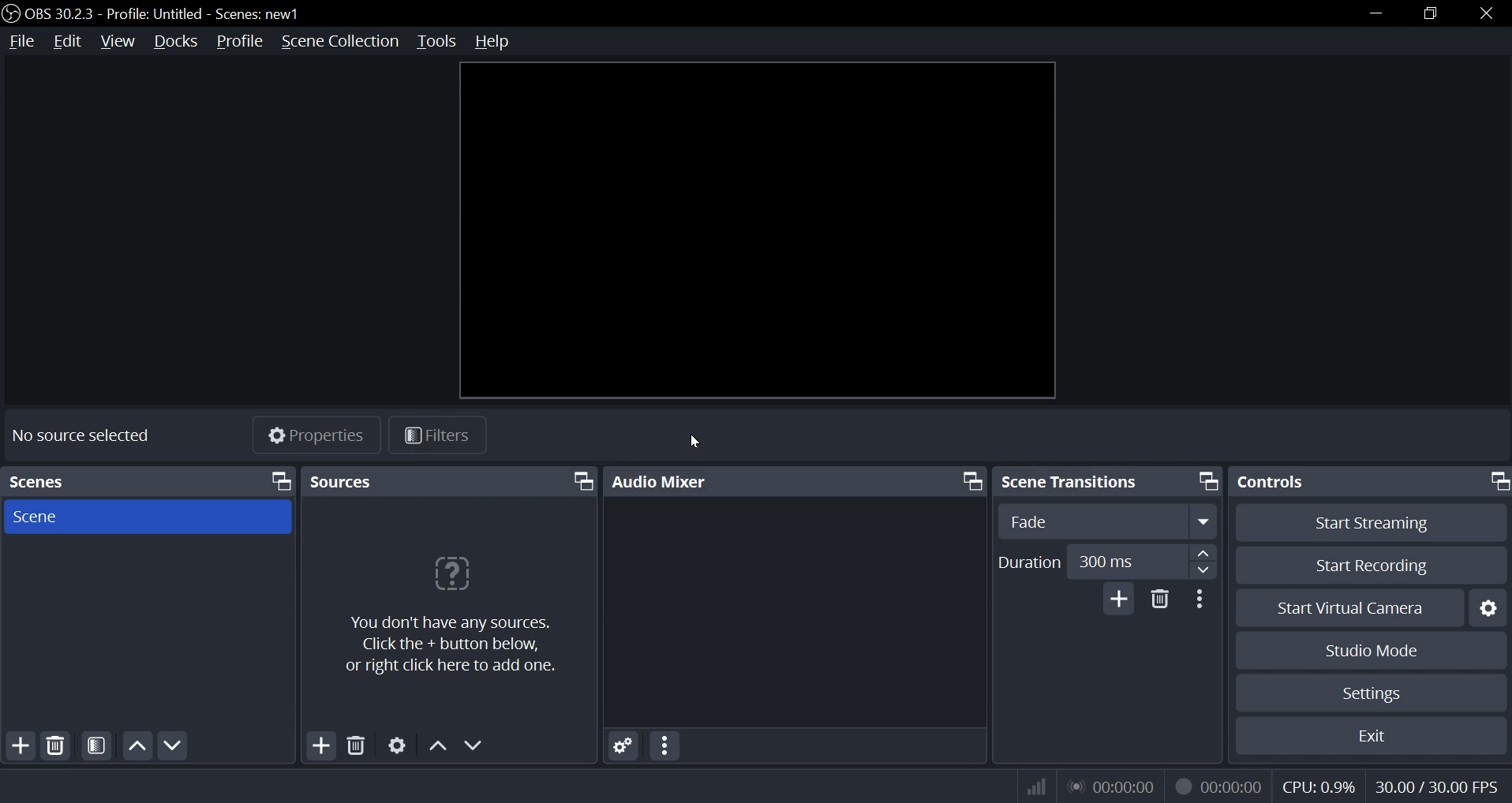 The width and height of the screenshot is (1512, 803). I want to click on tools, so click(436, 42).